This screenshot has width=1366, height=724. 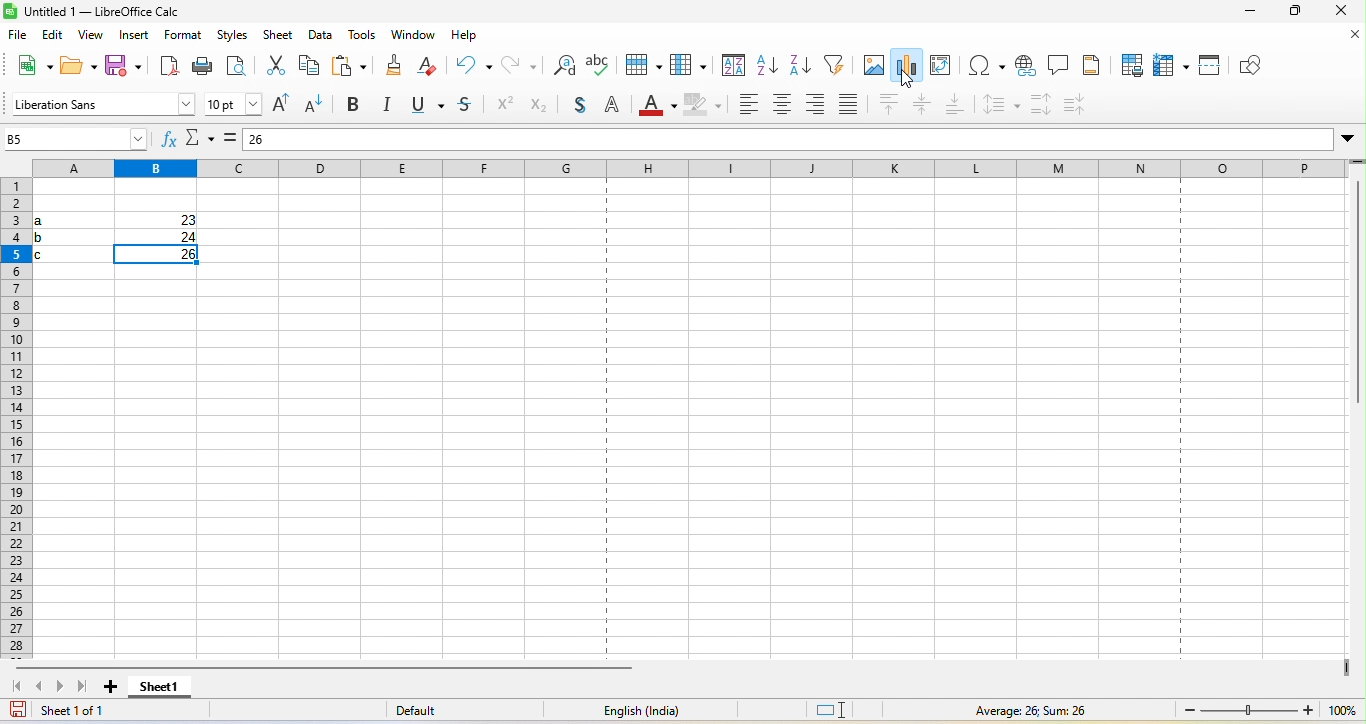 What do you see at coordinates (236, 66) in the screenshot?
I see `print preview` at bounding box center [236, 66].